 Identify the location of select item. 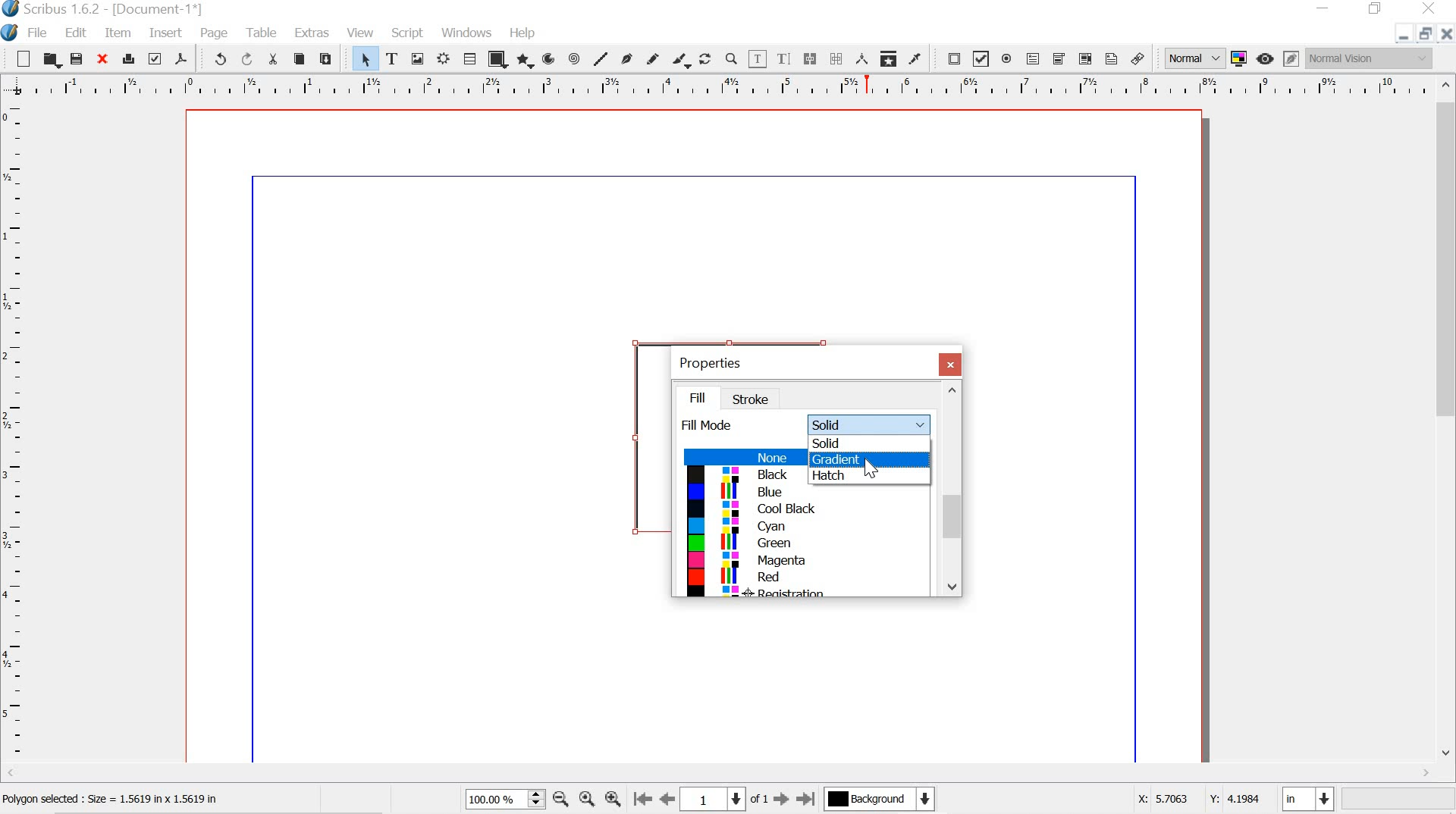
(365, 58).